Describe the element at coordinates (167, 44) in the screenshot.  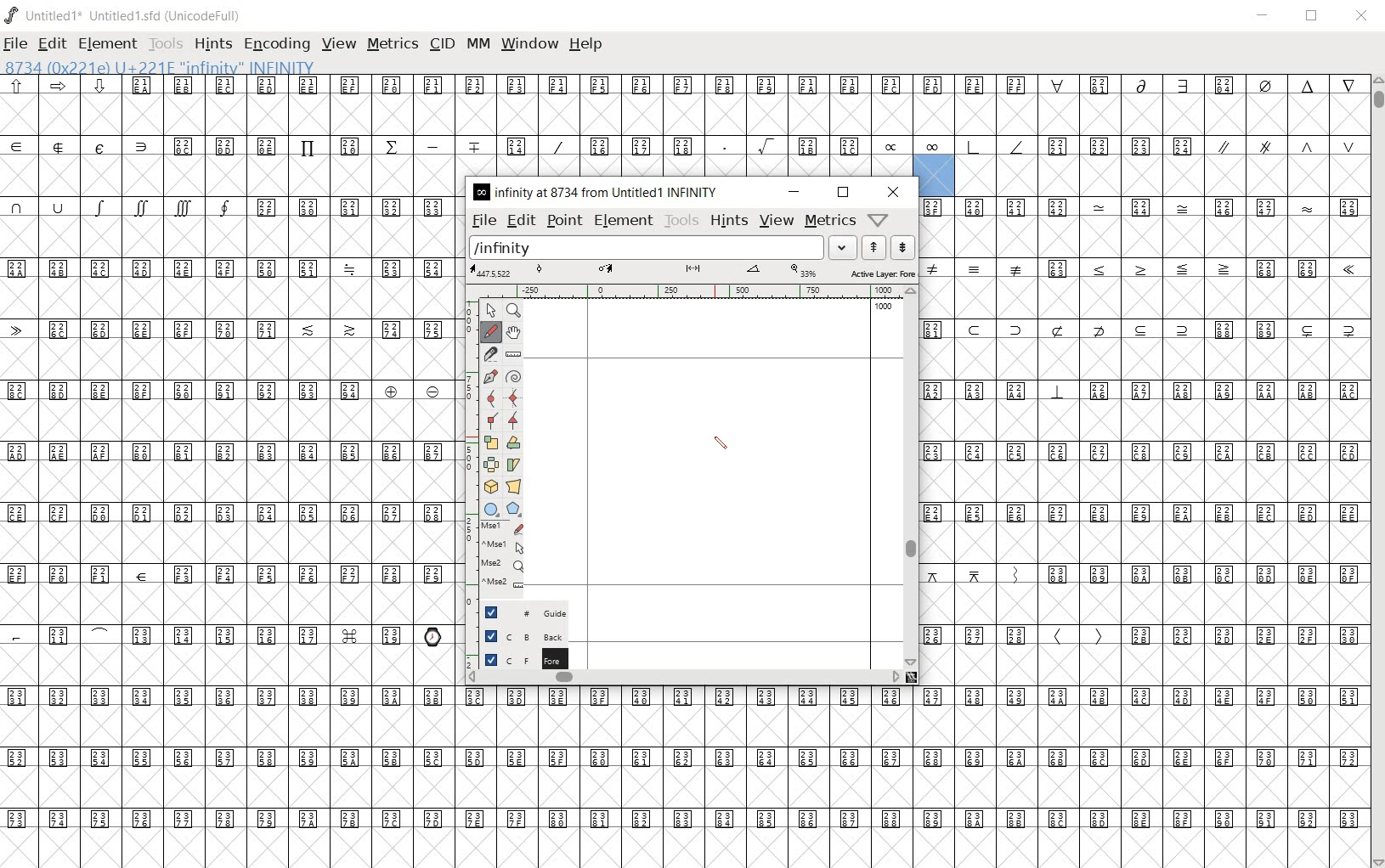
I see `tools` at that location.